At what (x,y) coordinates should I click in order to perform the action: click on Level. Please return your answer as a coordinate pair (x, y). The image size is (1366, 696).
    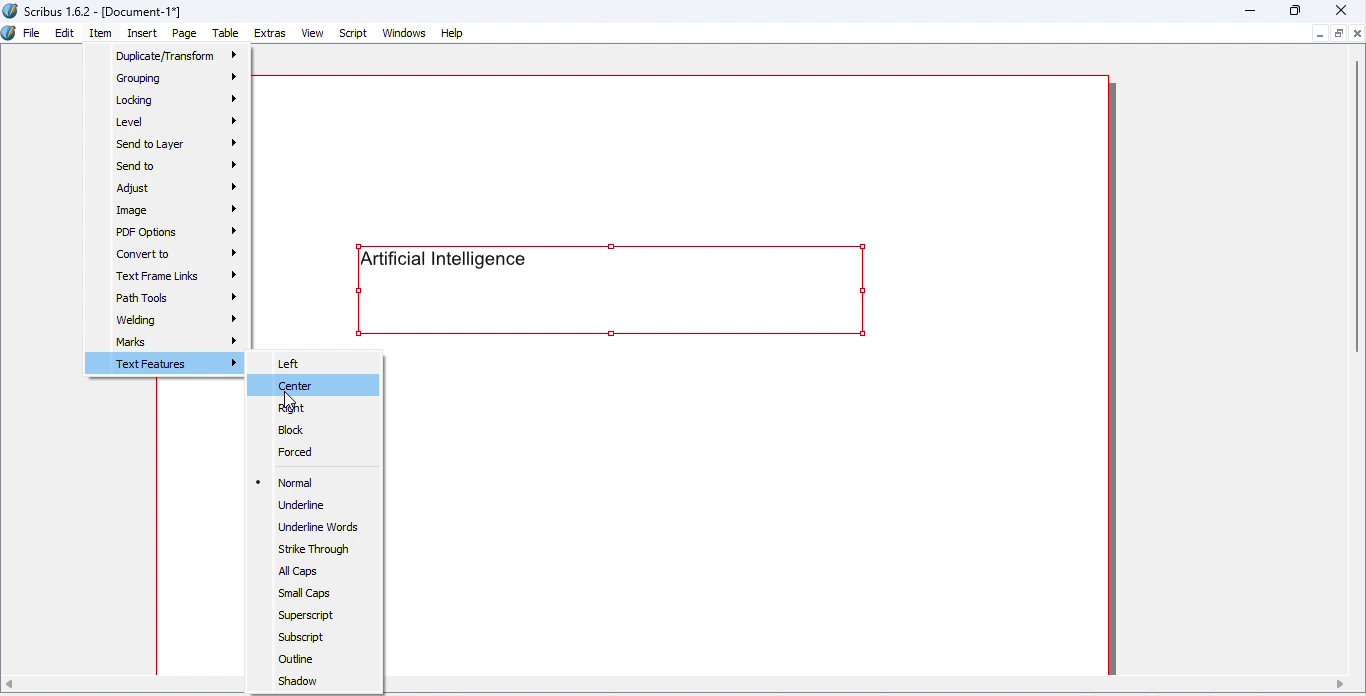
    Looking at the image, I should click on (182, 121).